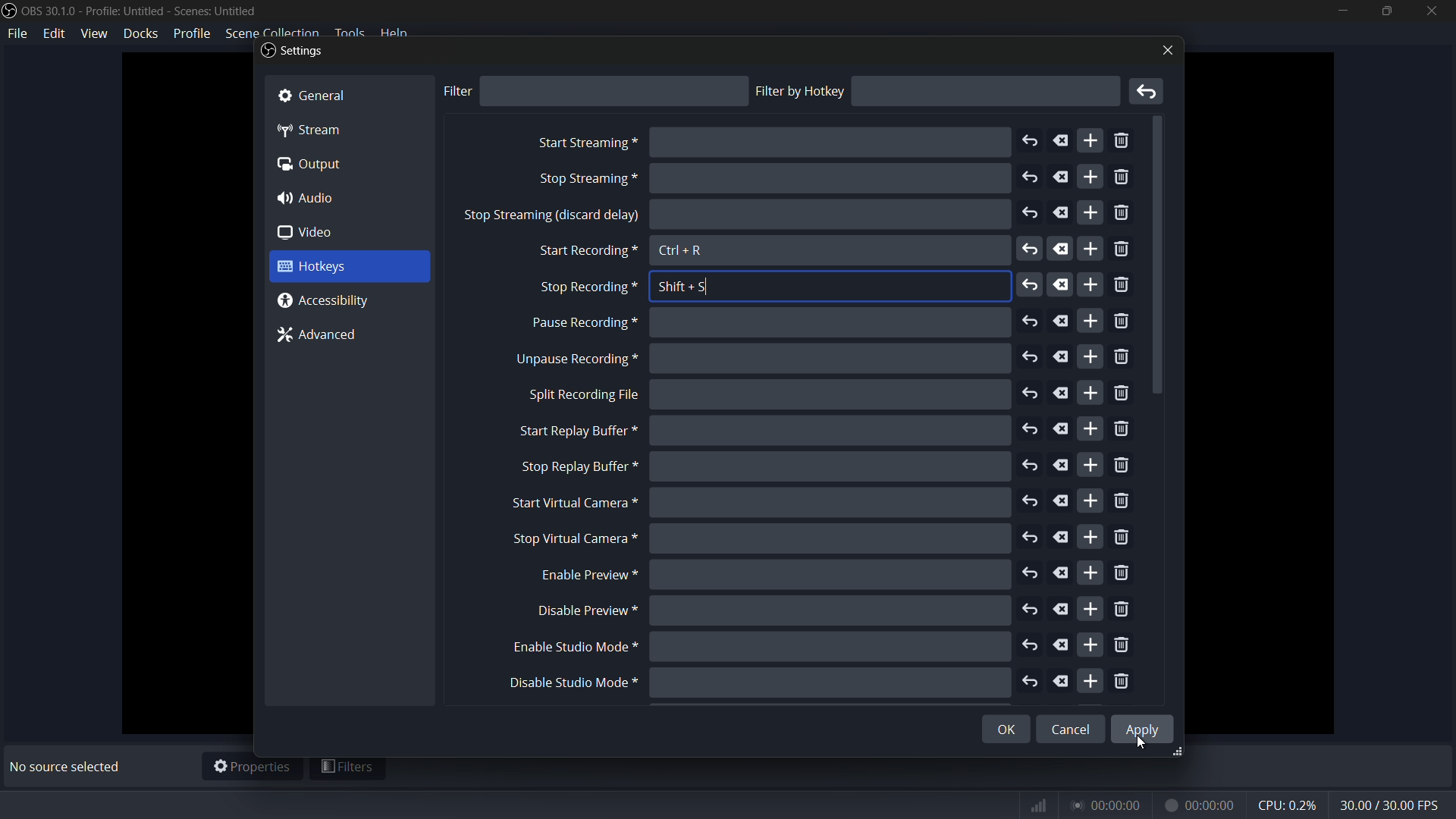 The image size is (1456, 819). I want to click on add more, so click(1089, 428).